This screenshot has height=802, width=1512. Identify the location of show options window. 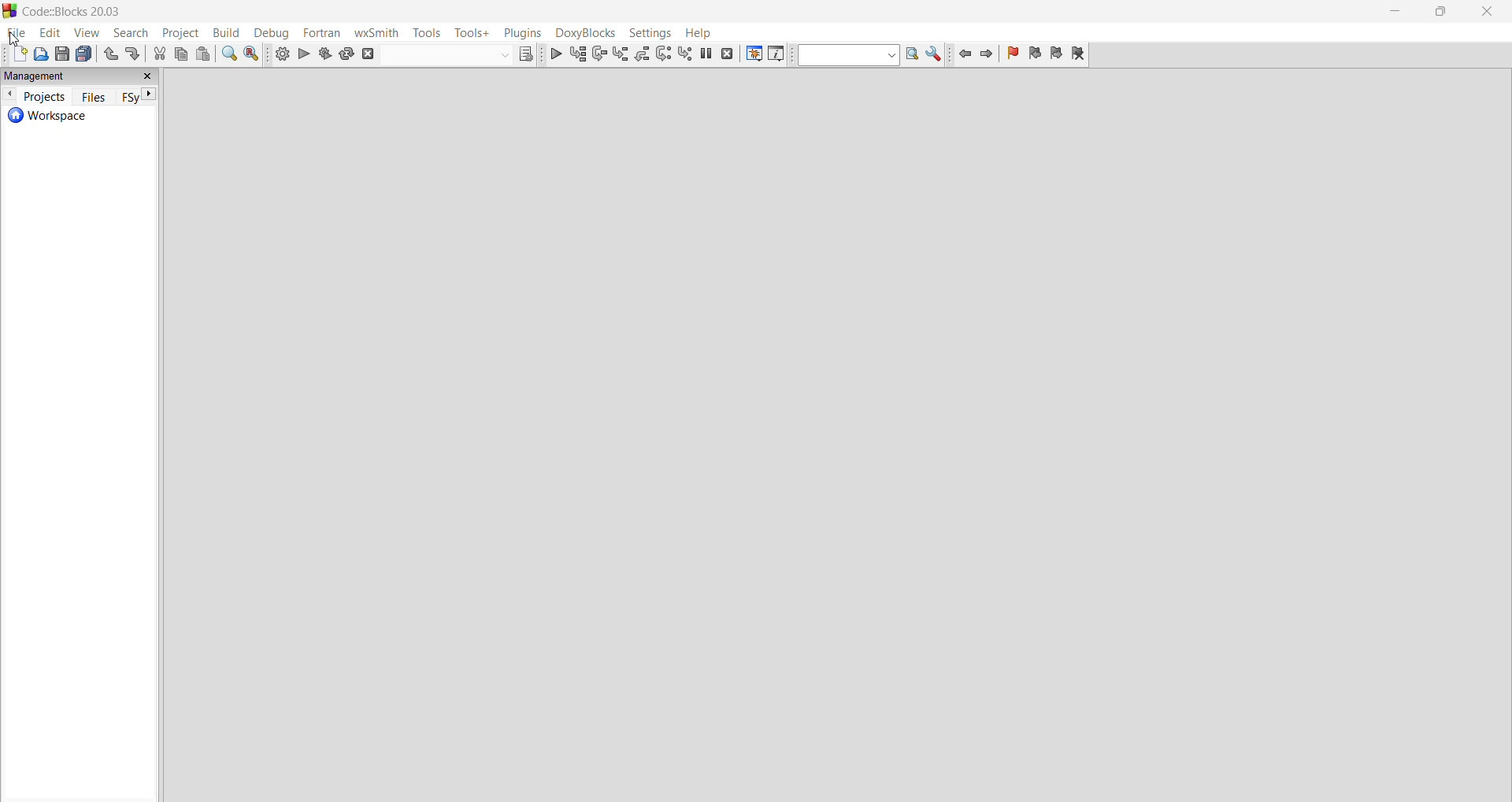
(935, 56).